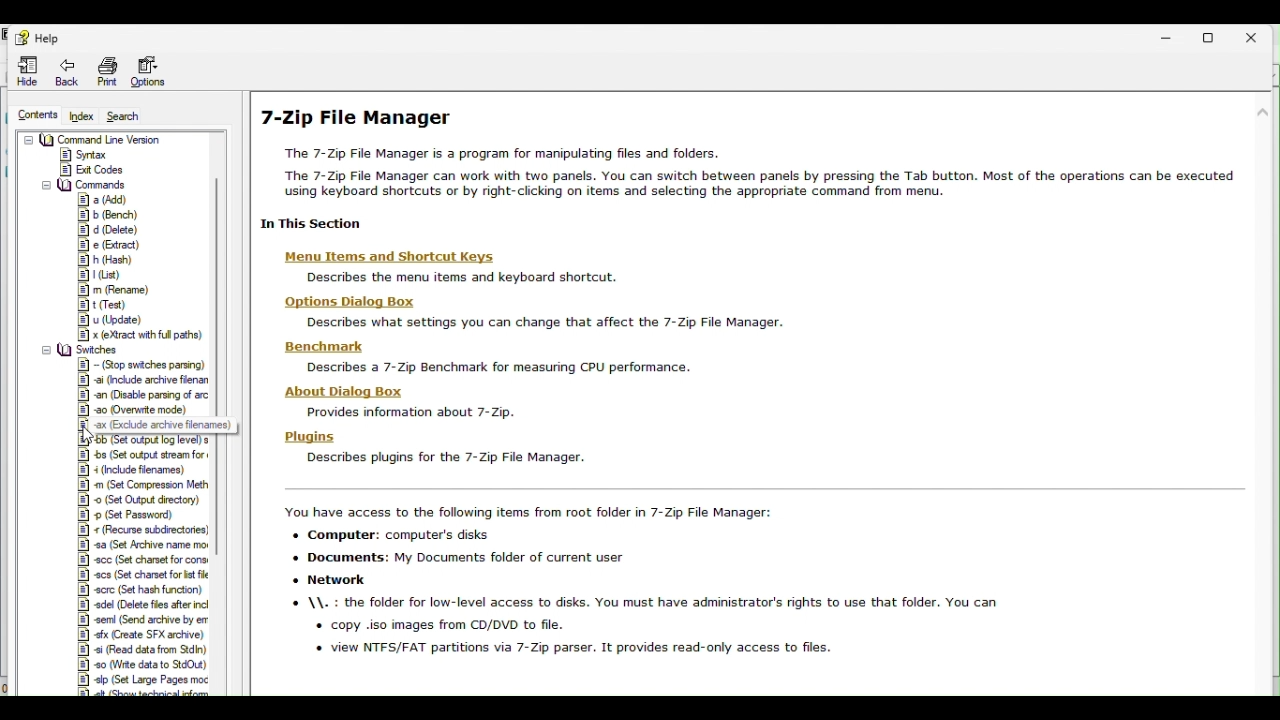  I want to click on | &] 9 (Set Password), so click(134, 515).